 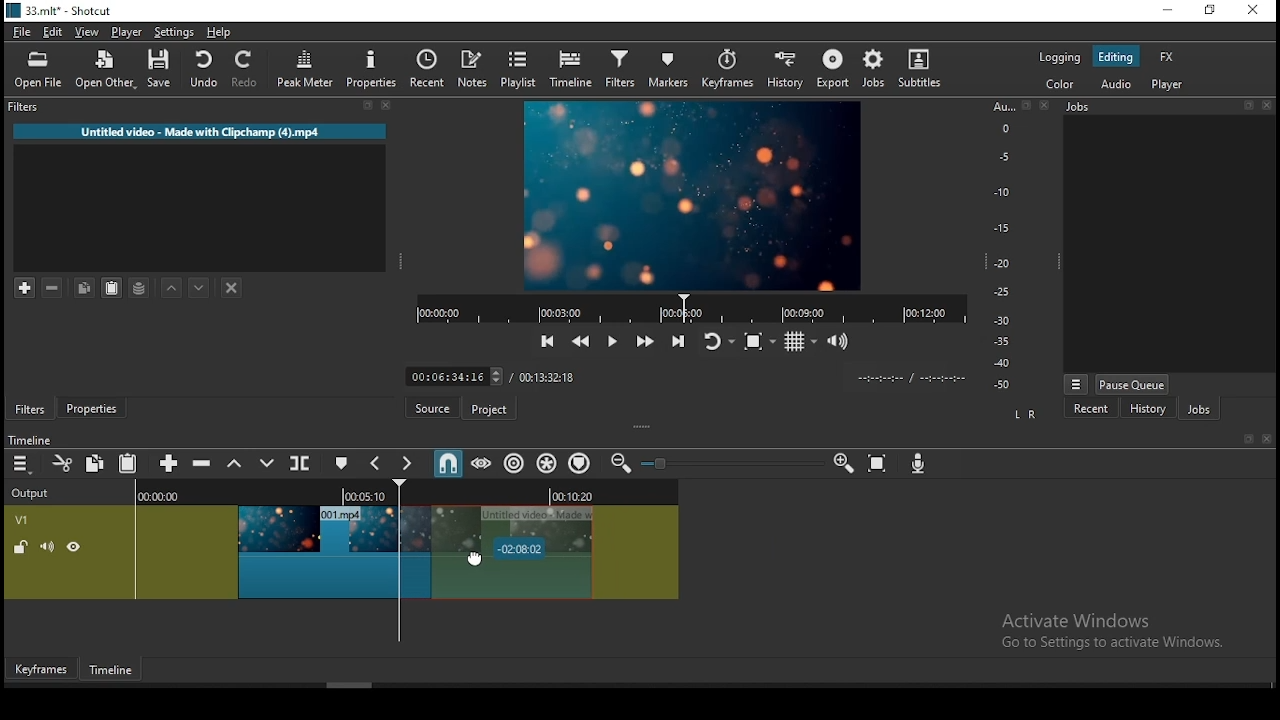 What do you see at coordinates (27, 288) in the screenshot?
I see `add a filter` at bounding box center [27, 288].